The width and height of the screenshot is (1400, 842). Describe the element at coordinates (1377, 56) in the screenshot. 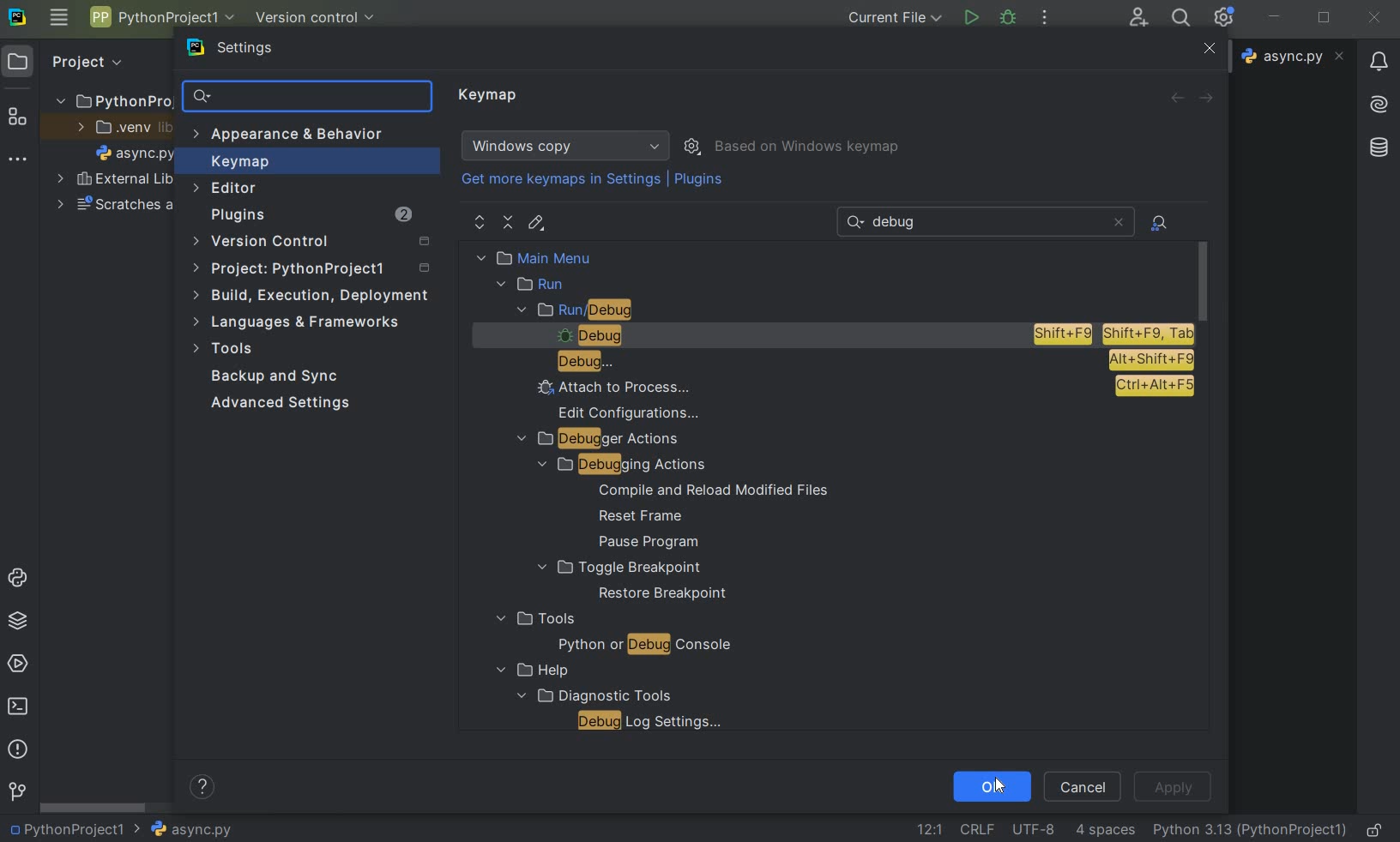

I see `Notifications` at that location.